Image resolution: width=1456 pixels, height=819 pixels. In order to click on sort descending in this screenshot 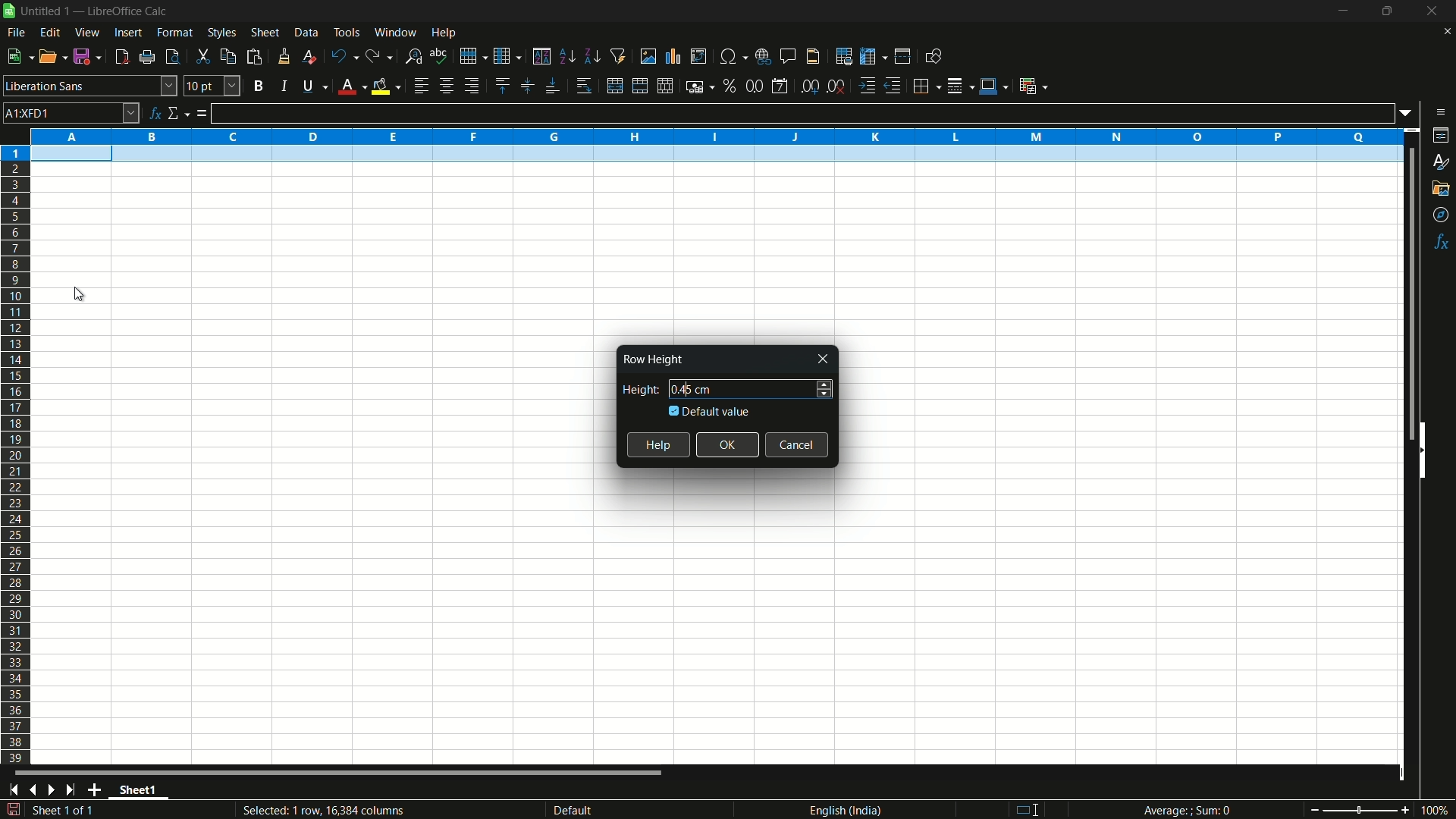, I will do `click(591, 56)`.